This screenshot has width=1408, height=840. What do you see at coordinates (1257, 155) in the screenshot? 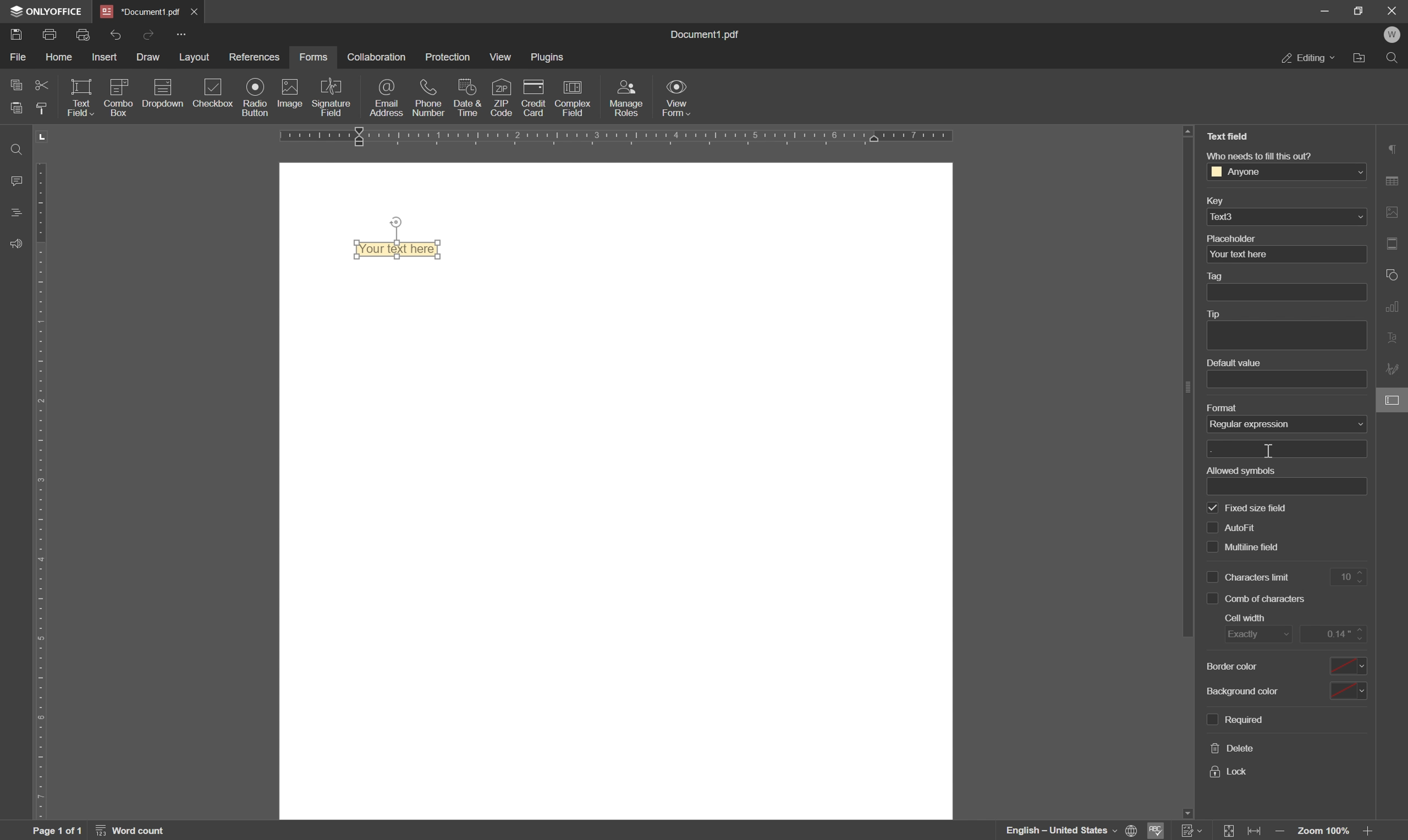
I see `who needs to fill this out?` at bounding box center [1257, 155].